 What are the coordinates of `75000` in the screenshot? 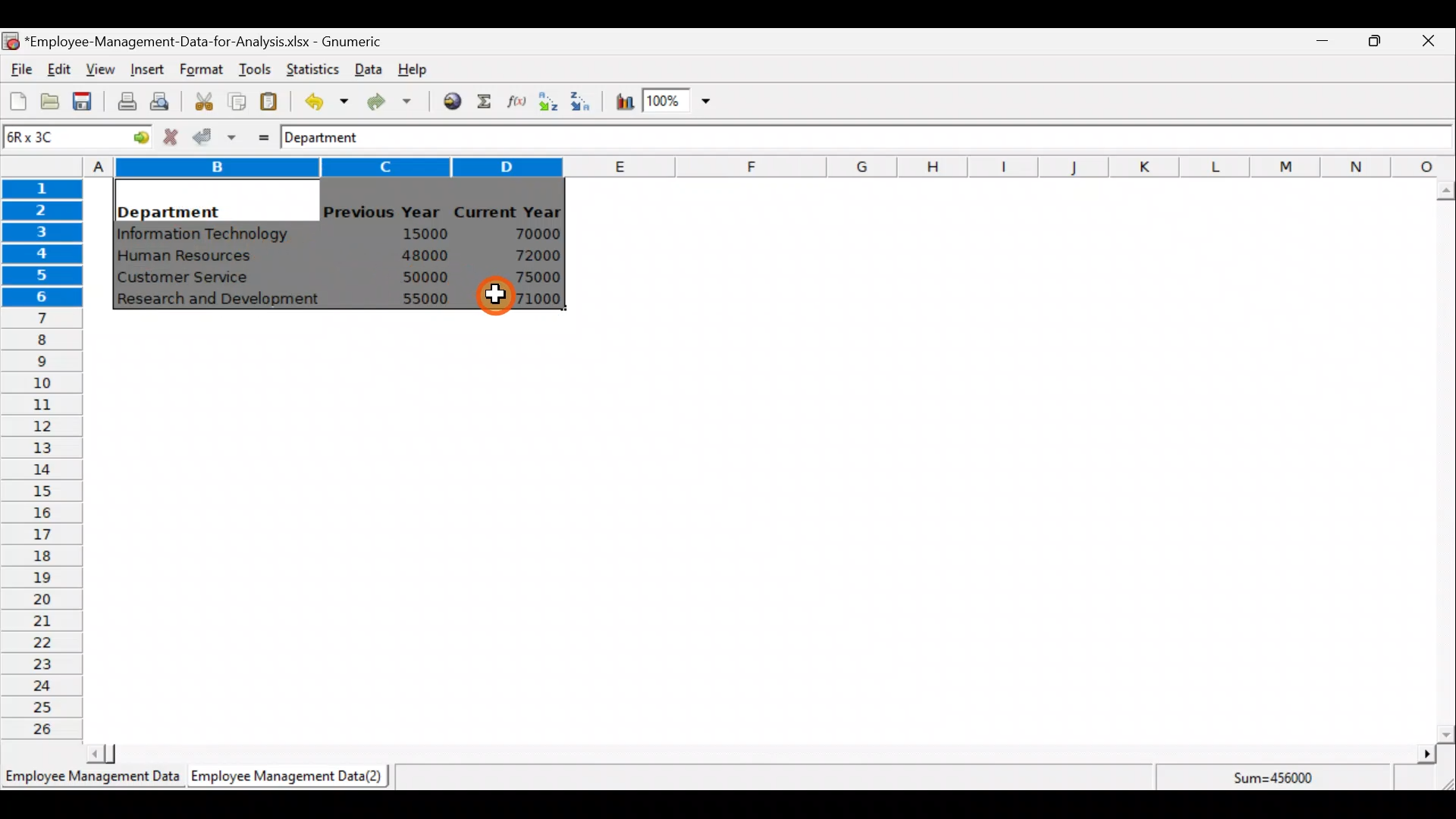 It's located at (529, 278).